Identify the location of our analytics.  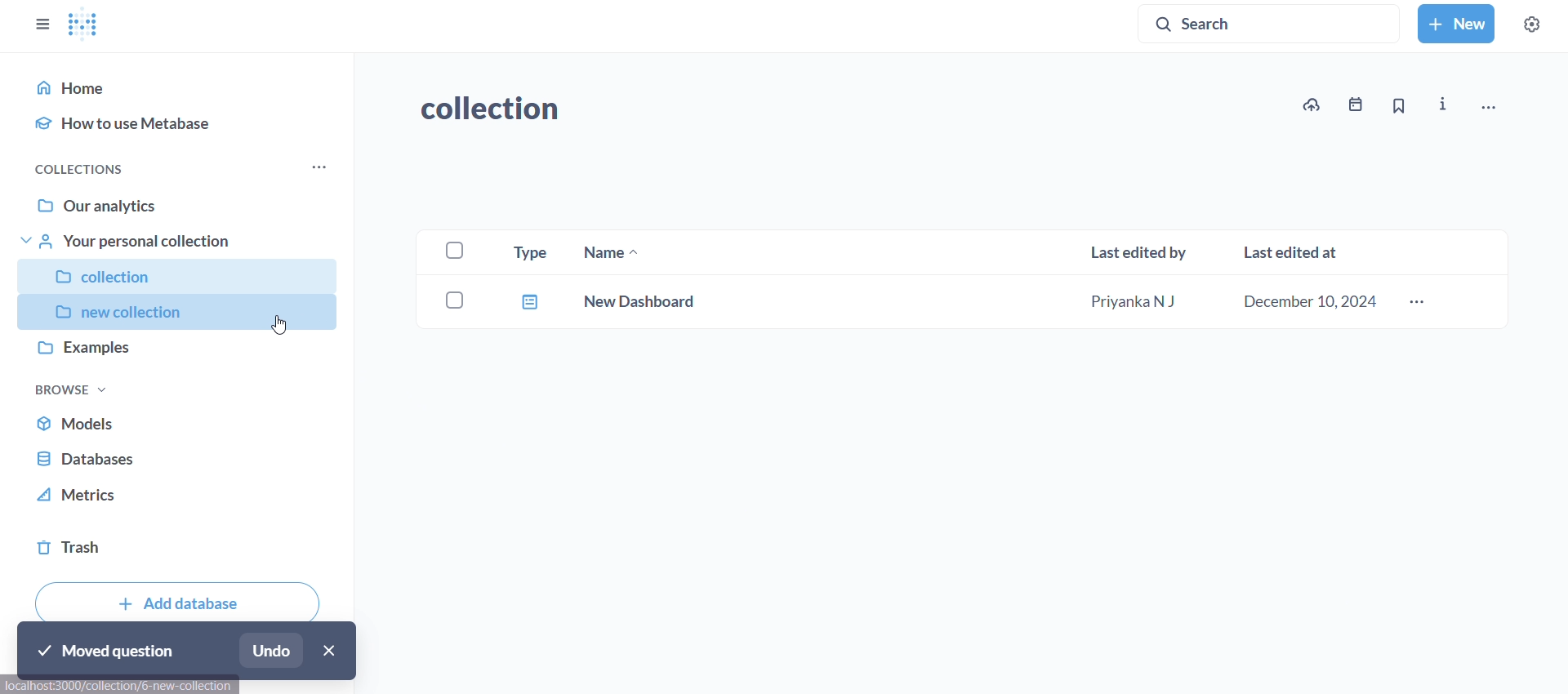
(181, 202).